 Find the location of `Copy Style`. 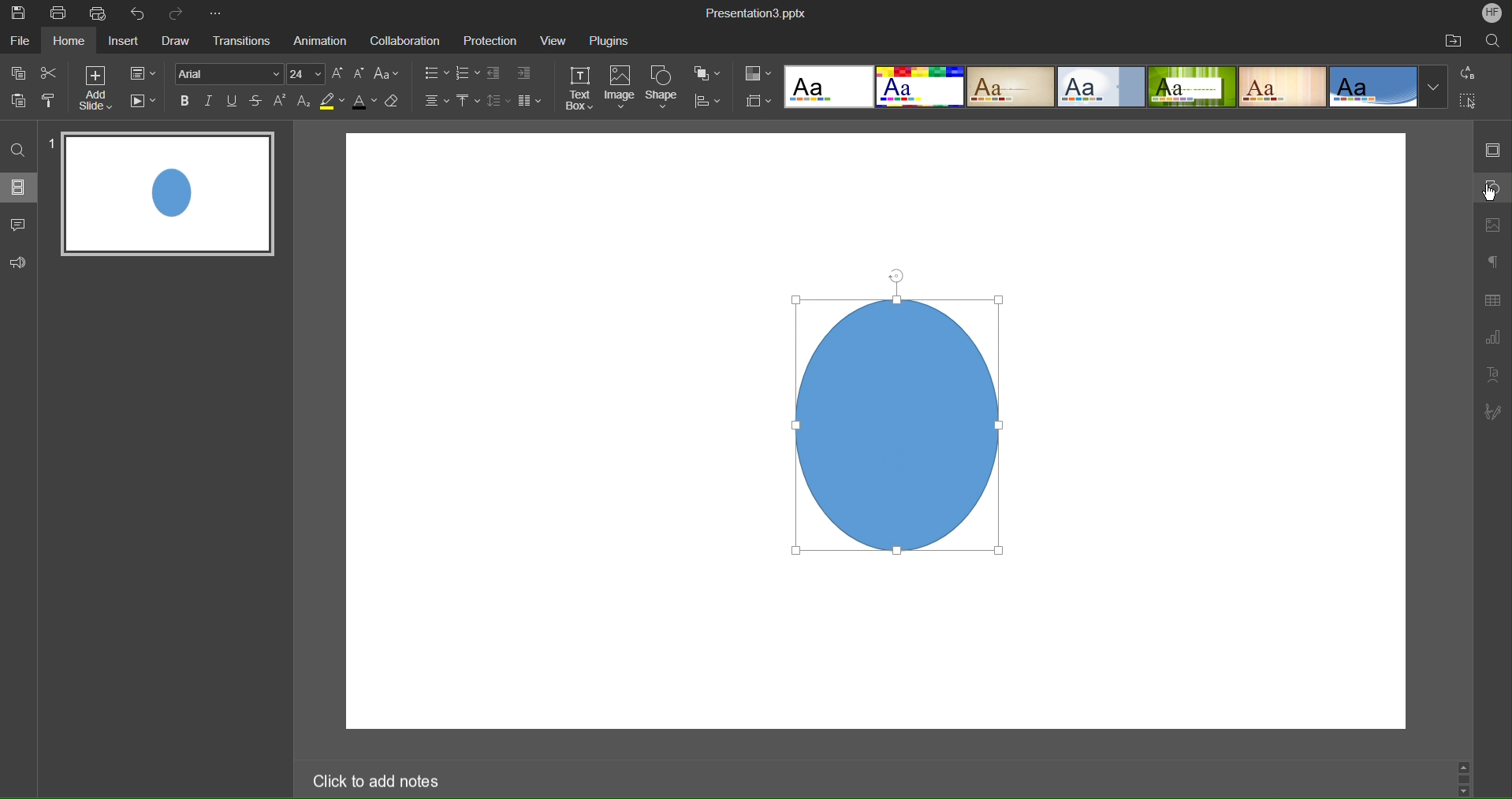

Copy Style is located at coordinates (50, 101).